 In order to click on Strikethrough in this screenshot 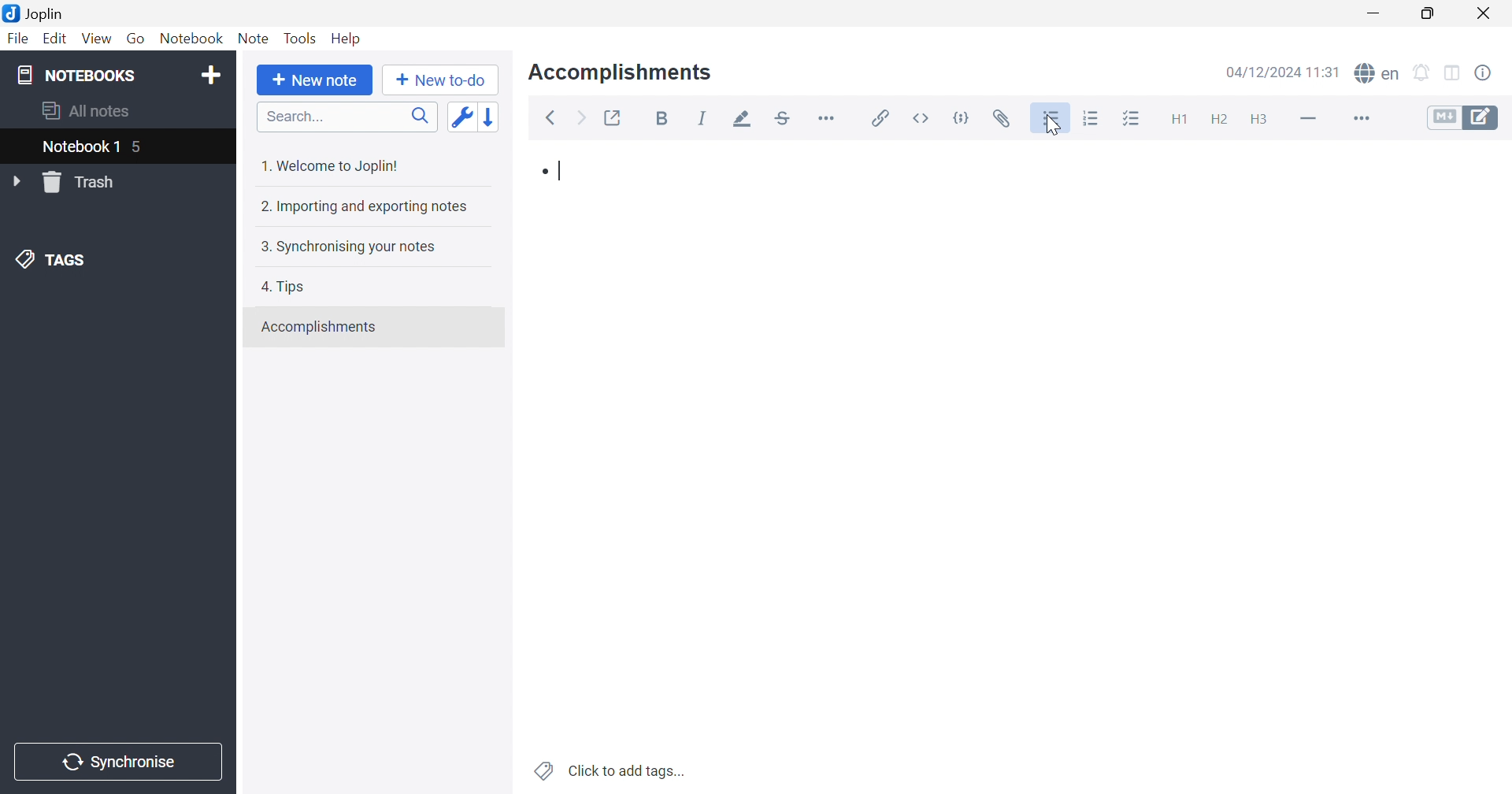, I will do `click(782, 121)`.